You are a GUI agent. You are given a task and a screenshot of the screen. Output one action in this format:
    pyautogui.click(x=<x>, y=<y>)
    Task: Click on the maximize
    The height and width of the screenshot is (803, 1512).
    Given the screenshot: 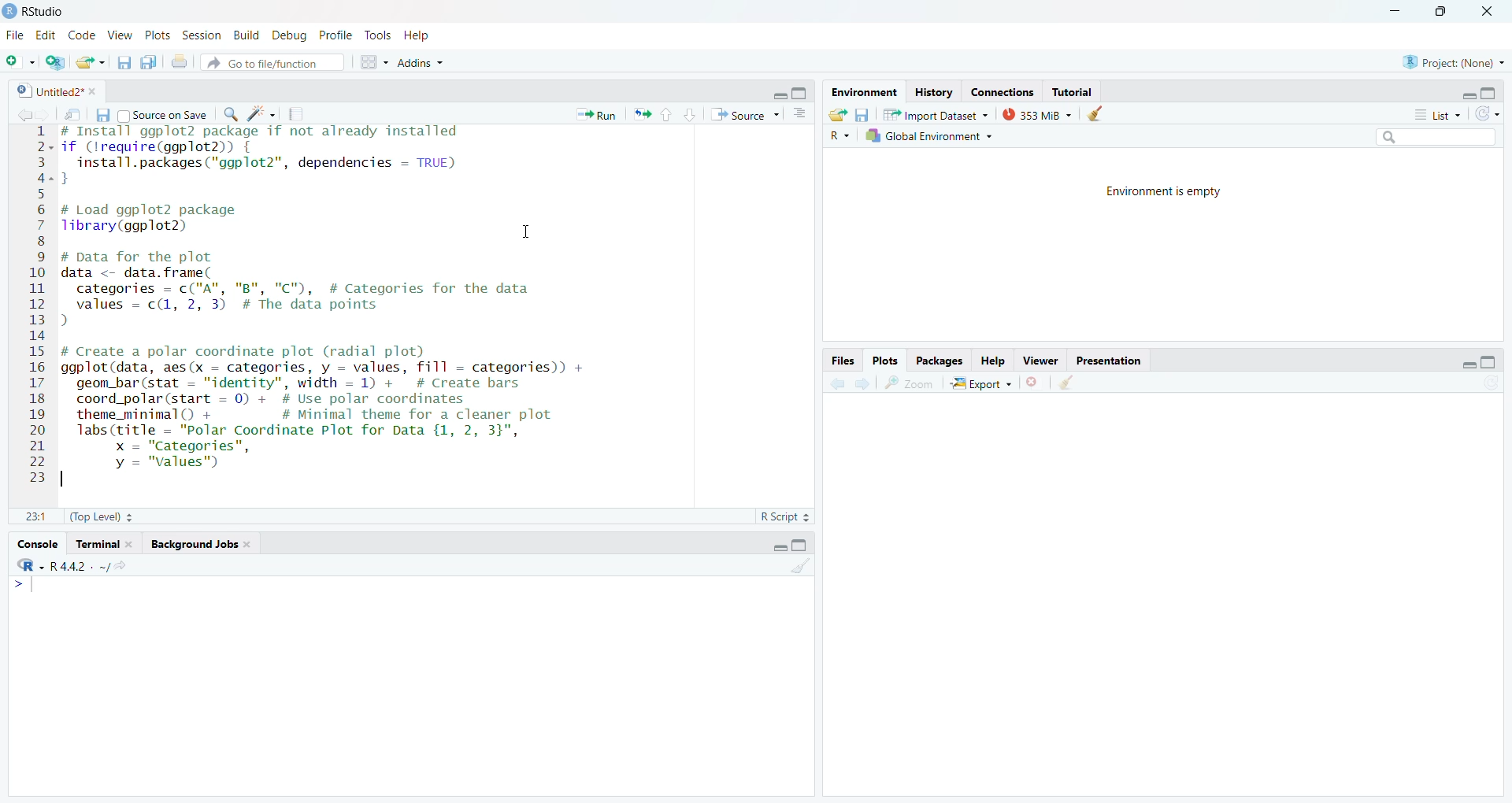 What is the action you would take?
    pyautogui.click(x=1436, y=11)
    